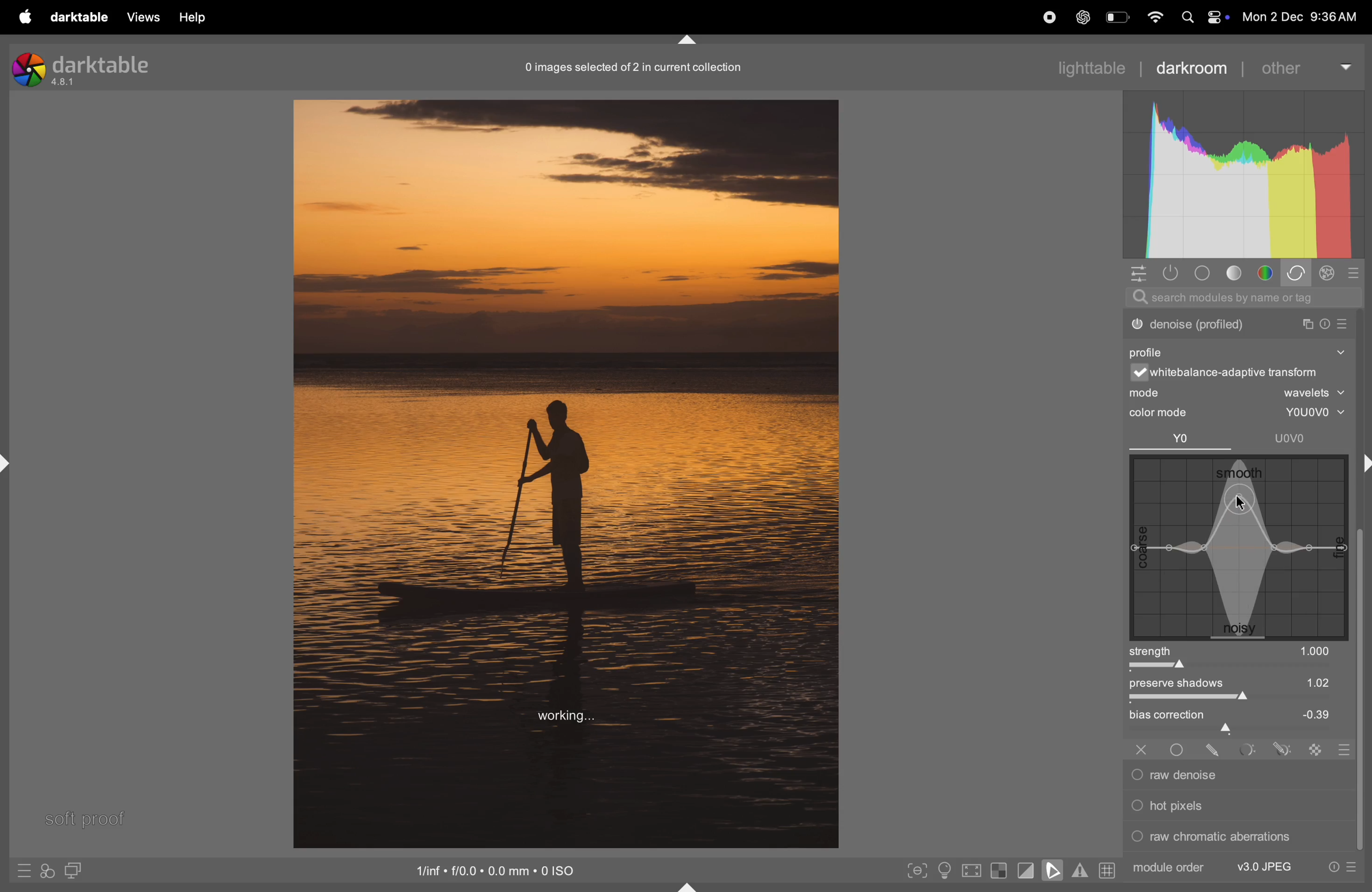 The image size is (1372, 892). Describe the element at coordinates (195, 17) in the screenshot. I see `help` at that location.